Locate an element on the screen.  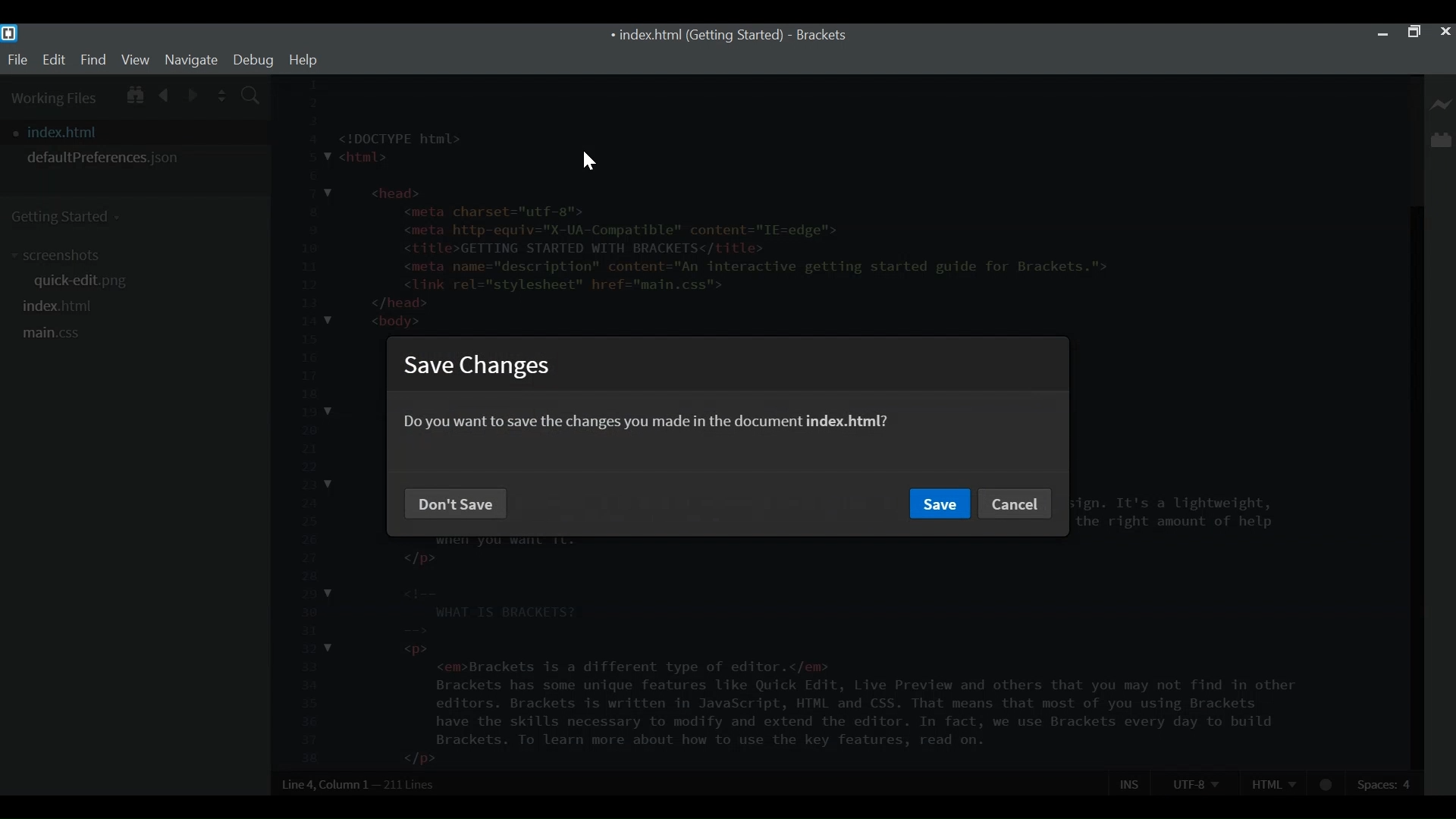
Line 4, Column 1— 211 Lines is located at coordinates (359, 784).